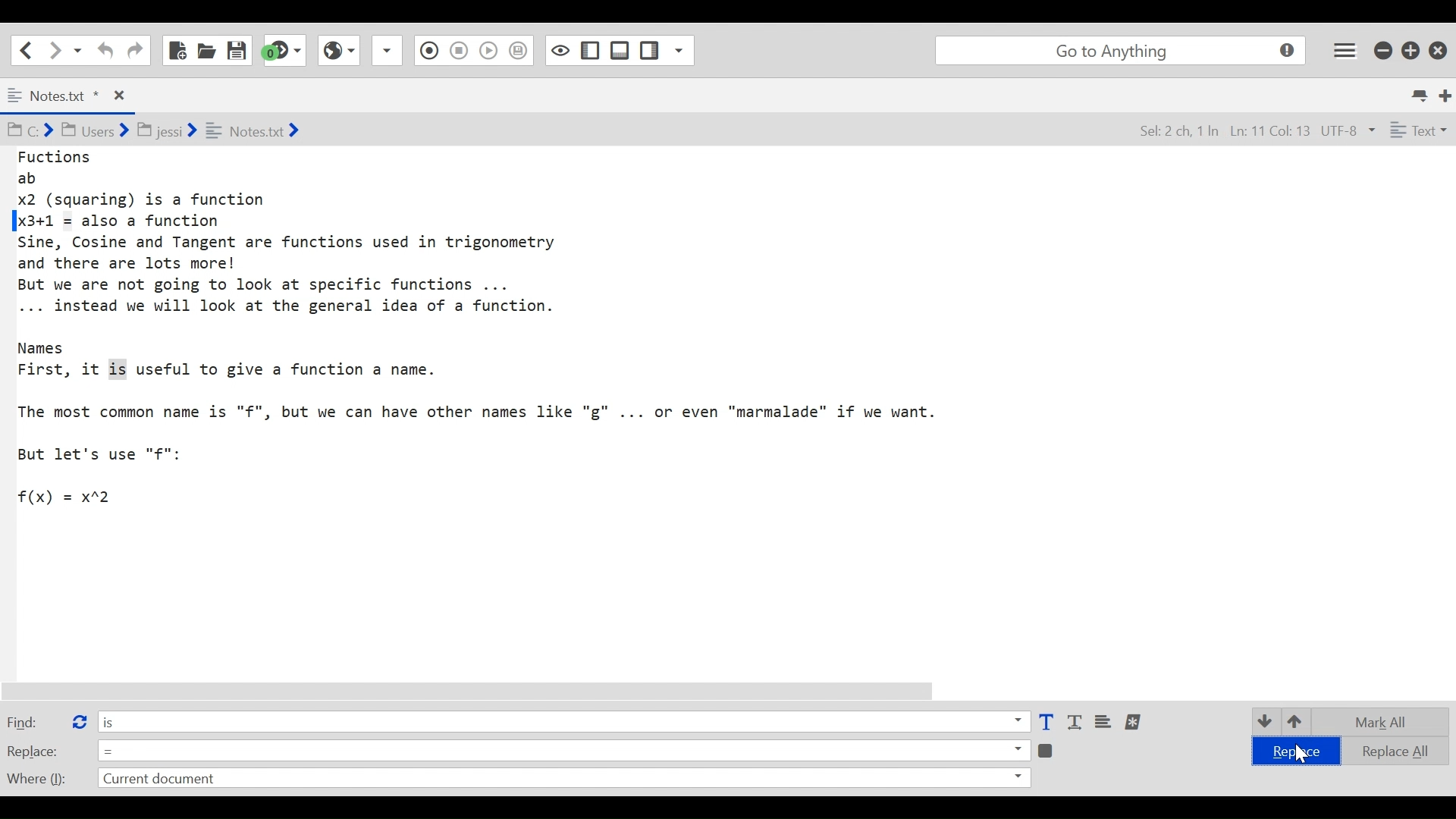 The image size is (1456, 819). I want to click on Replace All, so click(1385, 749).